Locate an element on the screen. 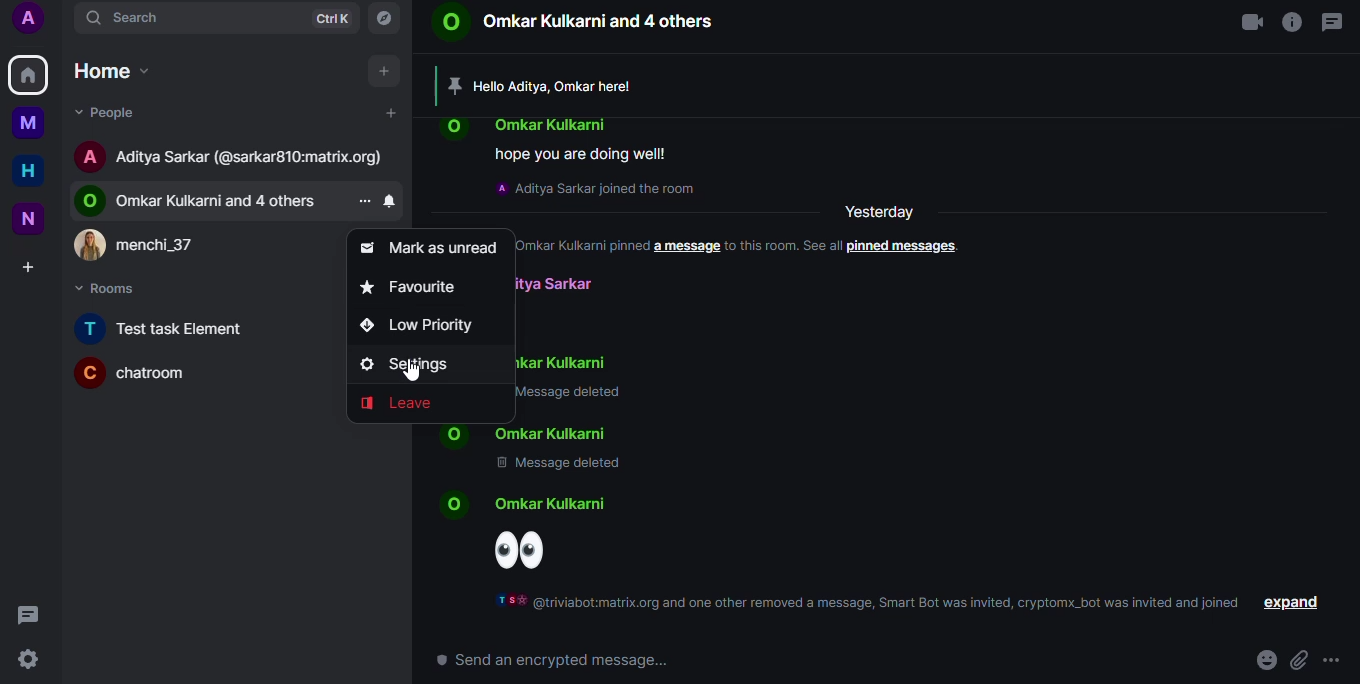 The image size is (1360, 684). eye emoji is located at coordinates (528, 550).